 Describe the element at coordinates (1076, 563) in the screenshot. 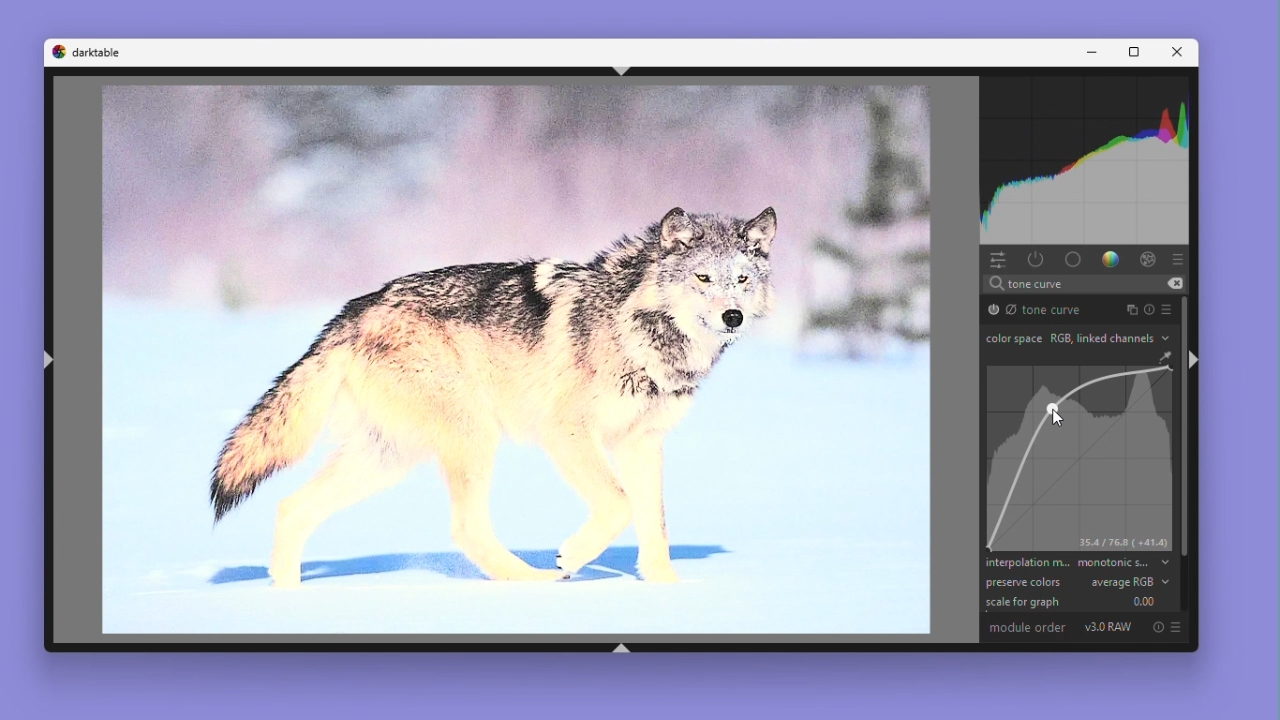

I see `Interpolation method` at that location.